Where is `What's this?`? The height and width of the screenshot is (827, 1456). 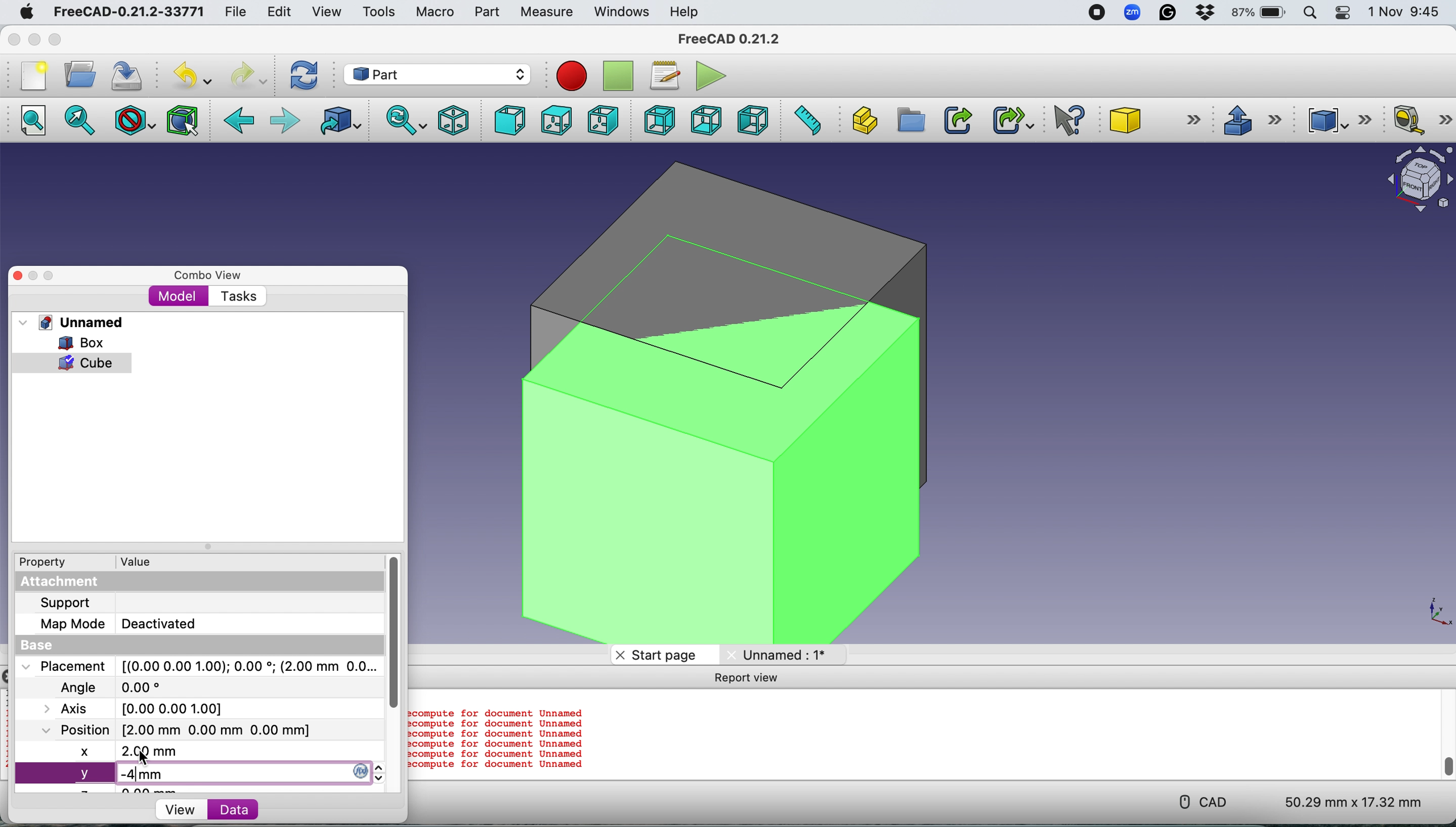 What's this? is located at coordinates (1071, 120).